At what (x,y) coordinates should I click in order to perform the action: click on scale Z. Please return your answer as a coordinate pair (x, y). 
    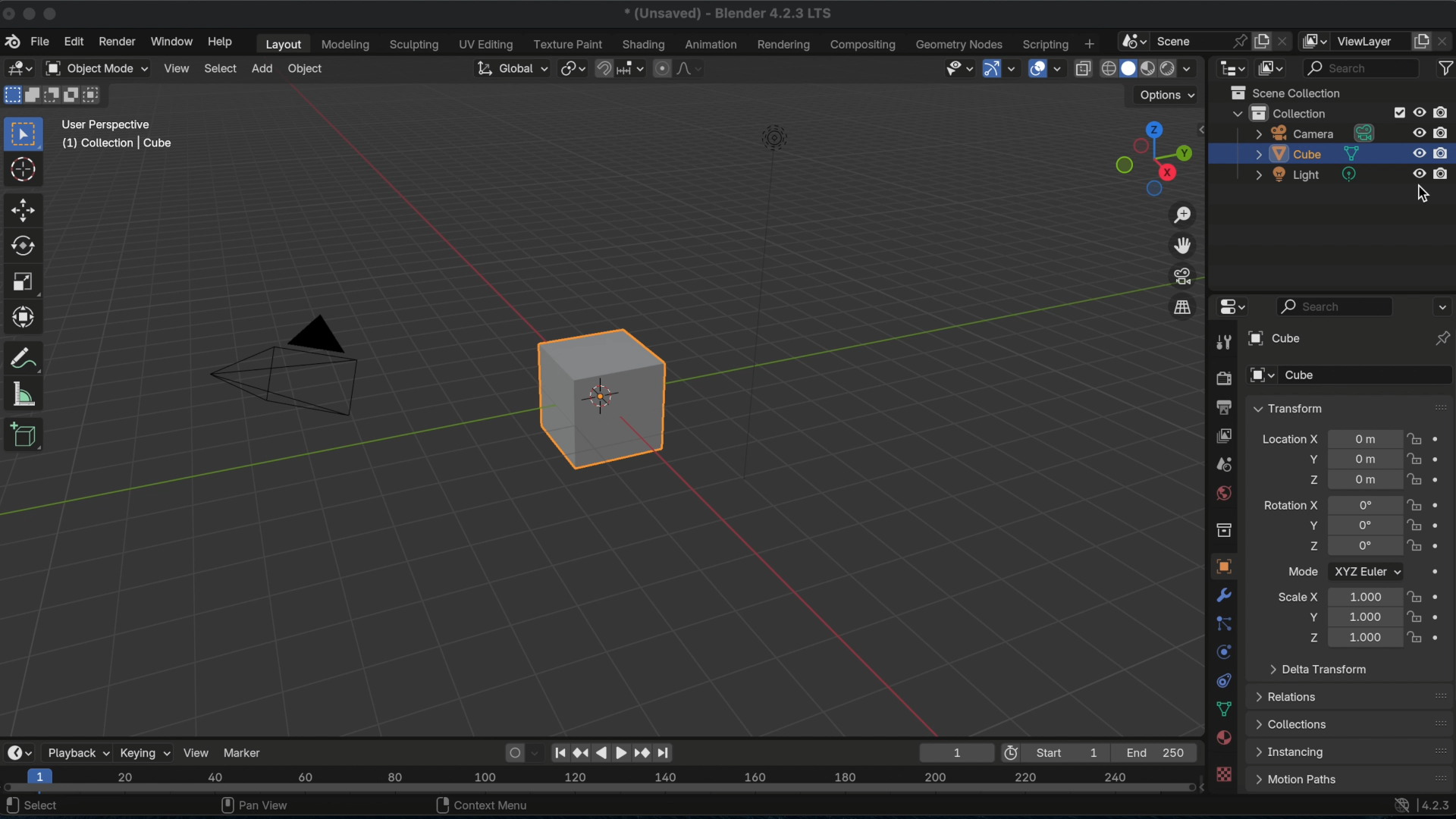
    Looking at the image, I should click on (1309, 638).